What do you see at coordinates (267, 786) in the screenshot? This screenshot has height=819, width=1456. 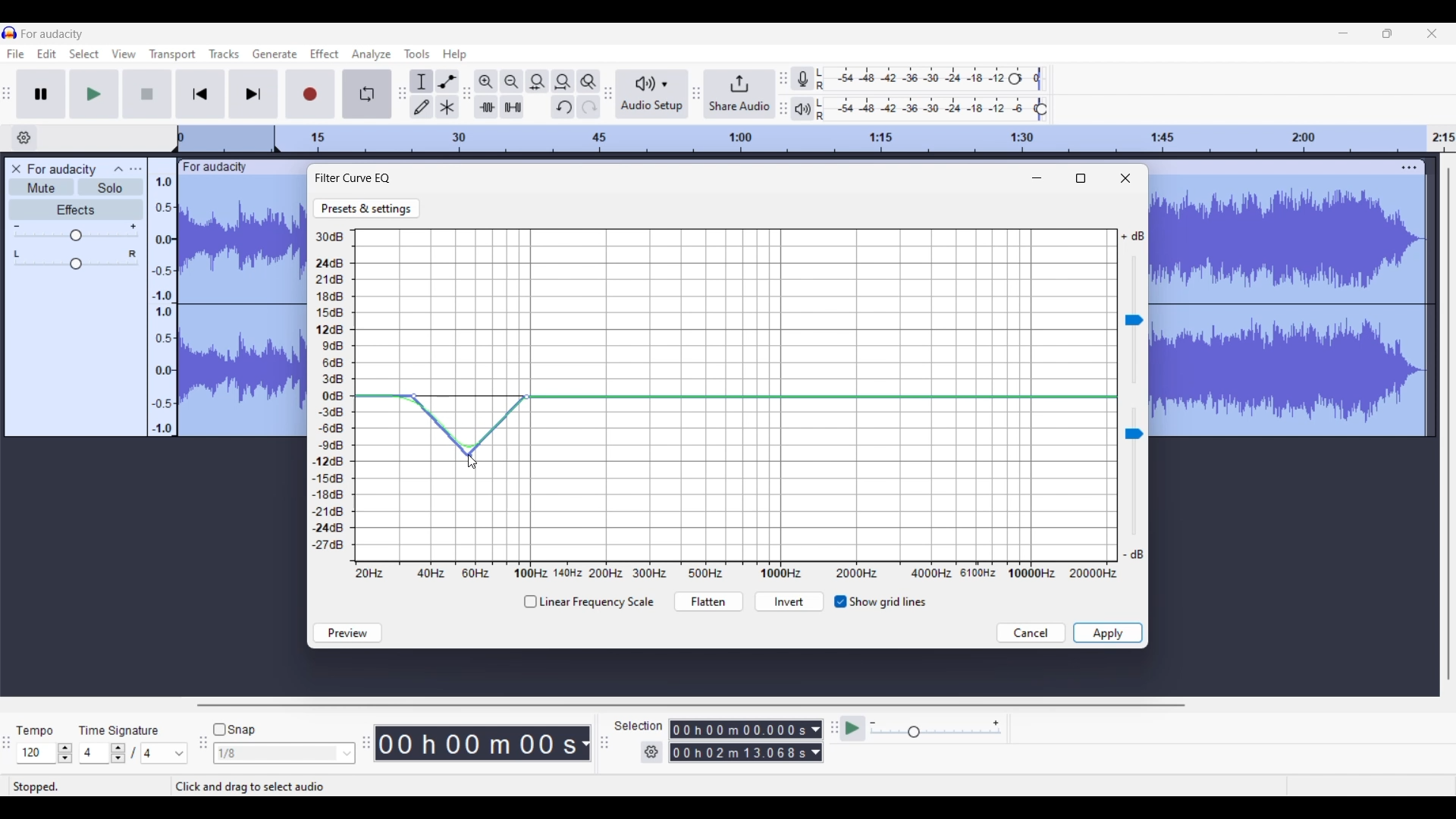 I see `Description of current selection` at bounding box center [267, 786].